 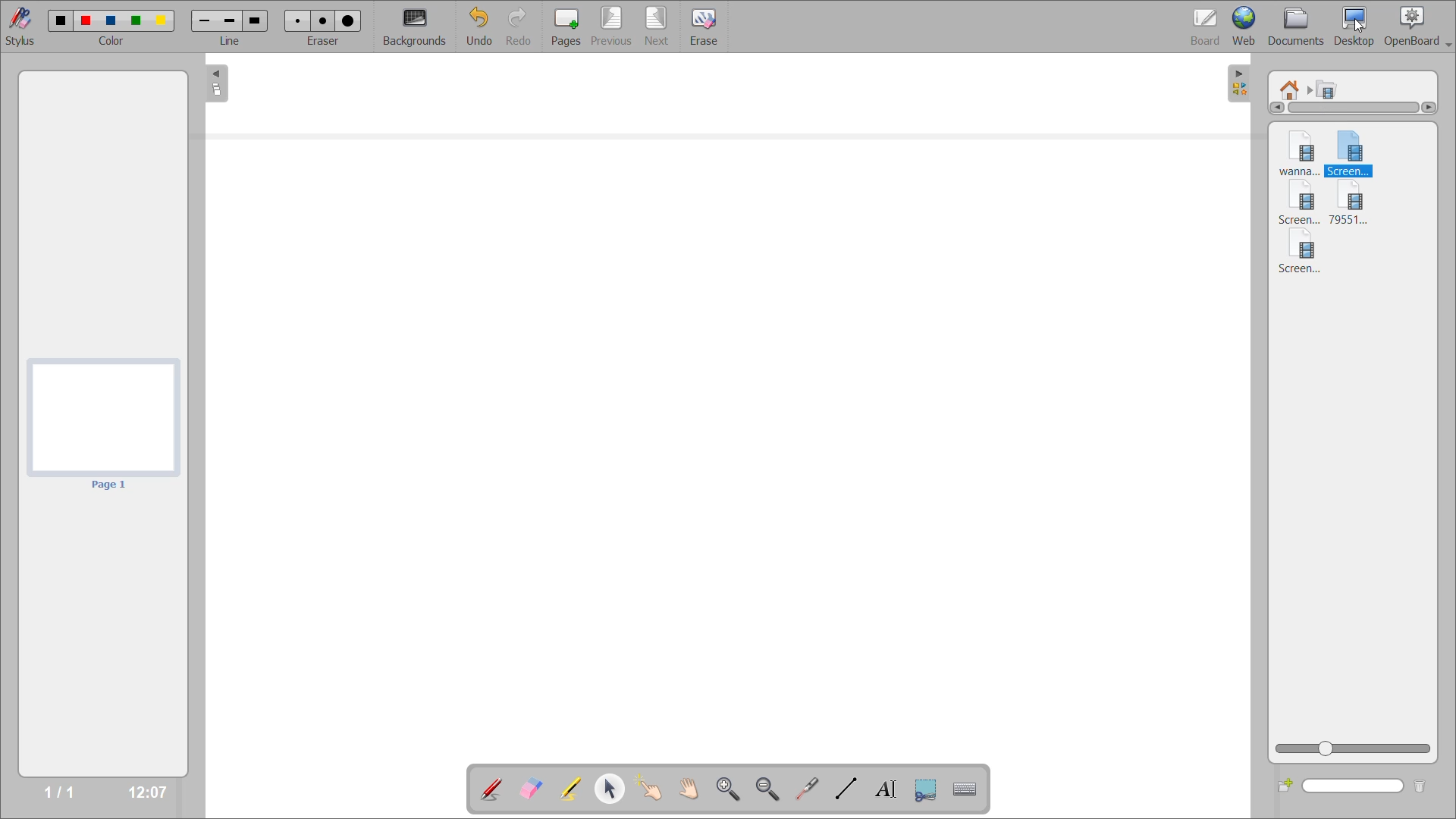 What do you see at coordinates (215, 86) in the screenshot?
I see `collapse` at bounding box center [215, 86].